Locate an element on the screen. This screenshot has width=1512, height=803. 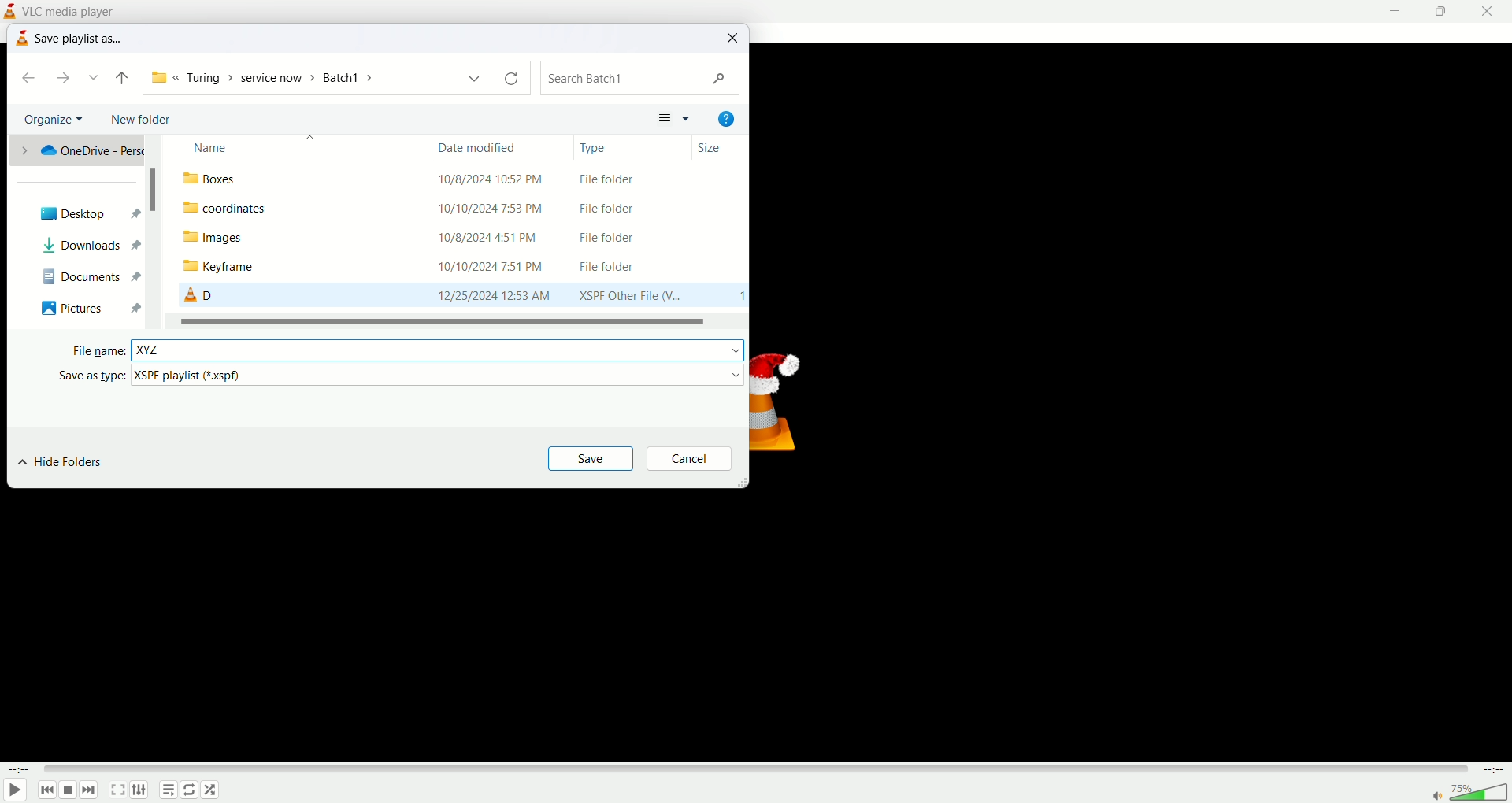
documents is located at coordinates (71, 273).